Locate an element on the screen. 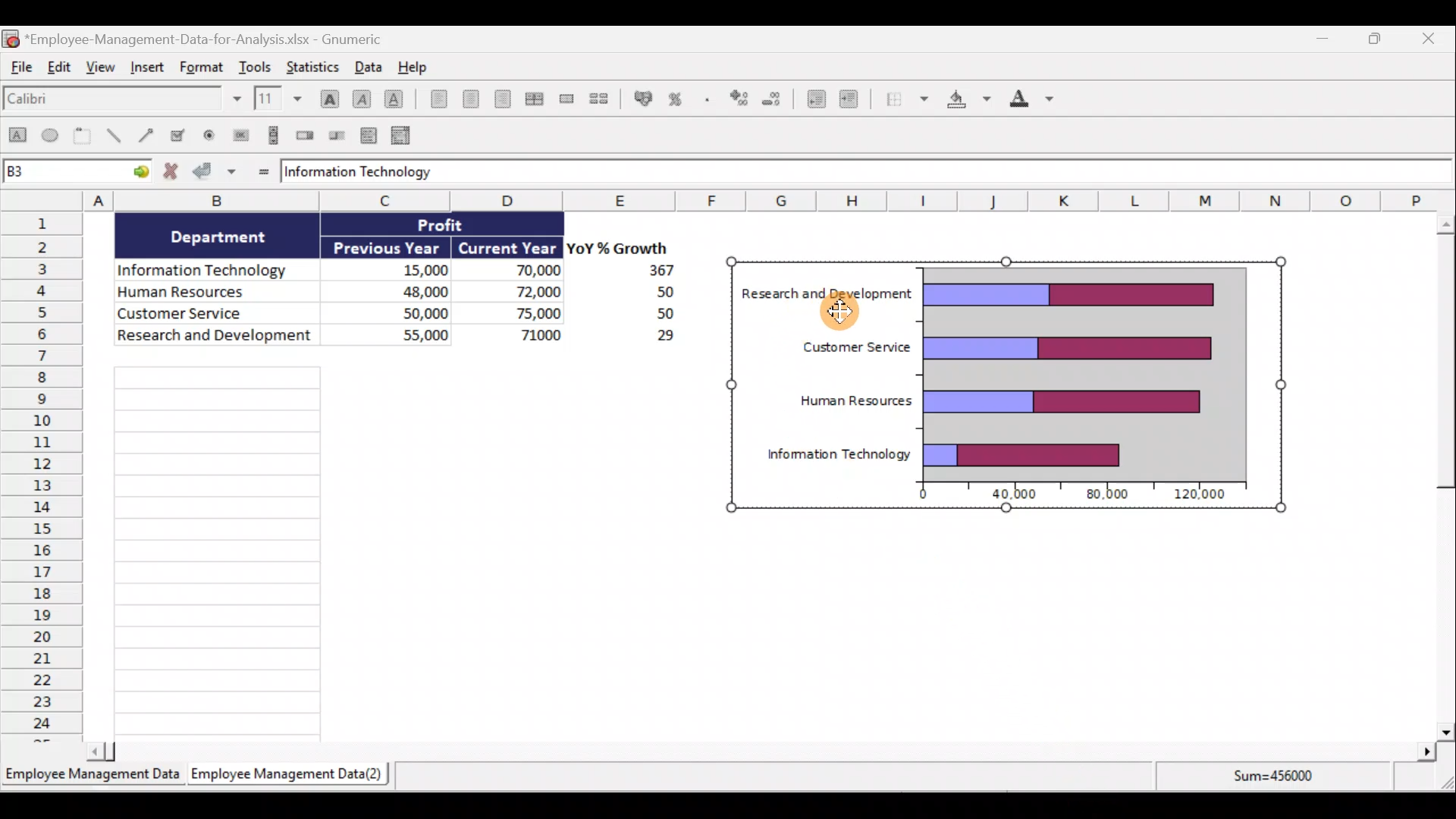  Centre horizontally is located at coordinates (473, 101).